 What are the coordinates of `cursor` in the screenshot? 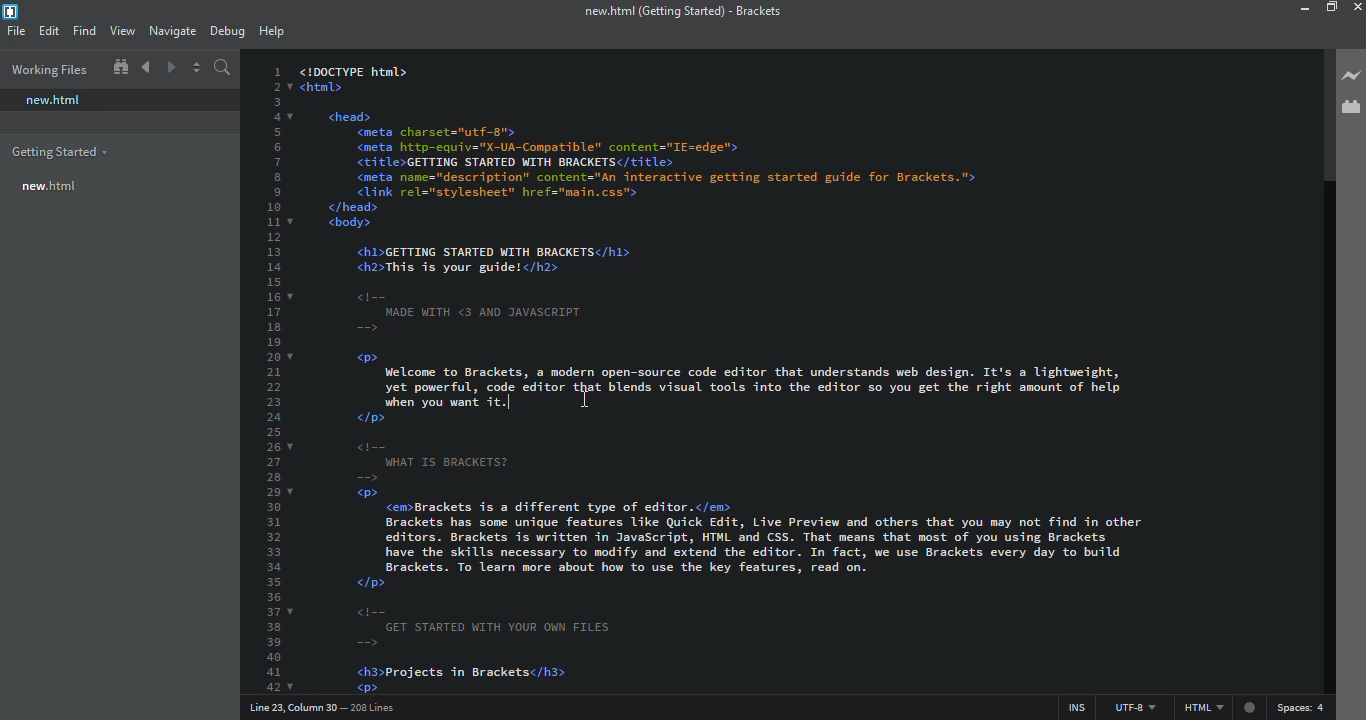 It's located at (579, 394).